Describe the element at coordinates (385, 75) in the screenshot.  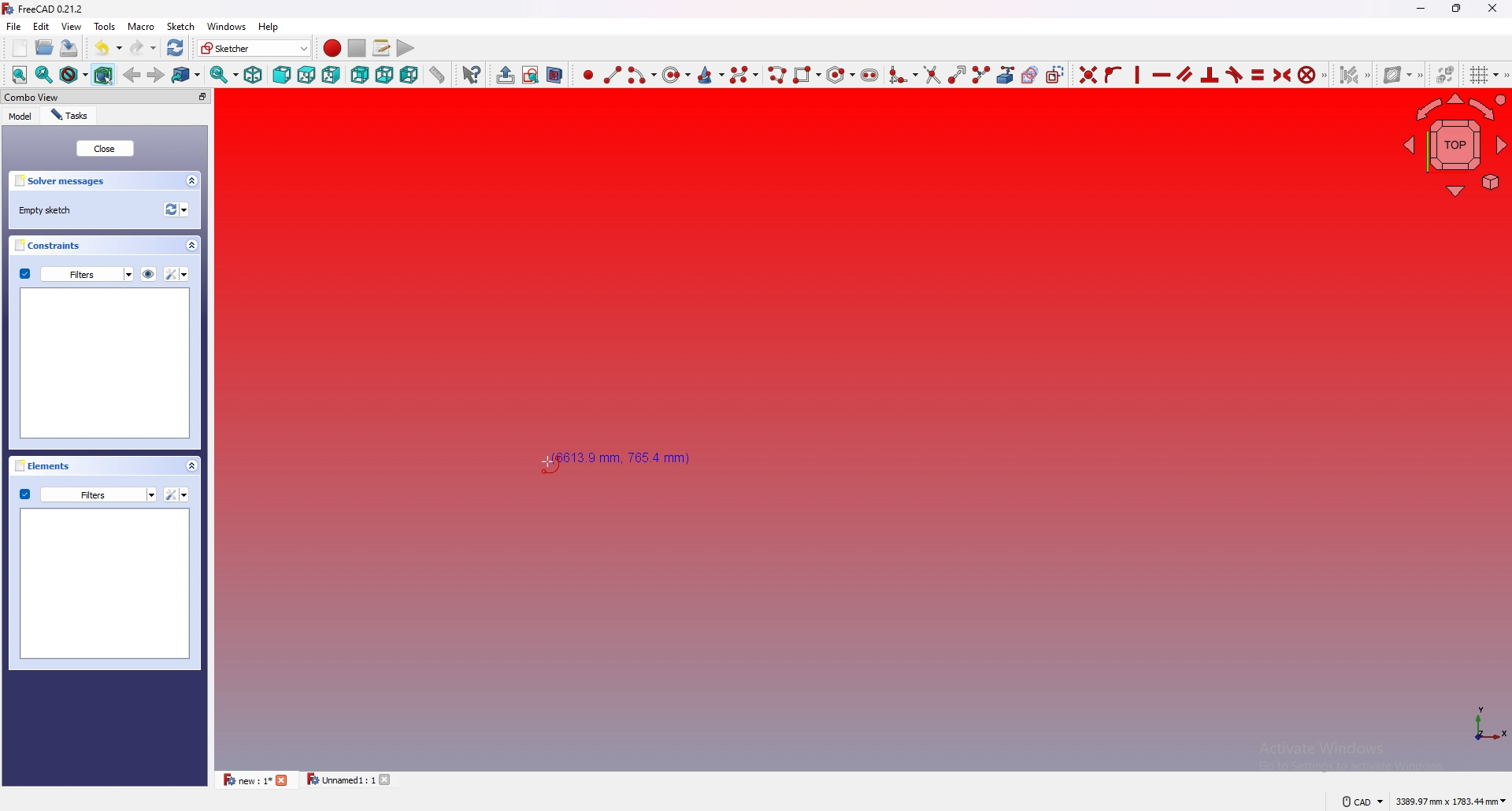
I see `bottom` at that location.